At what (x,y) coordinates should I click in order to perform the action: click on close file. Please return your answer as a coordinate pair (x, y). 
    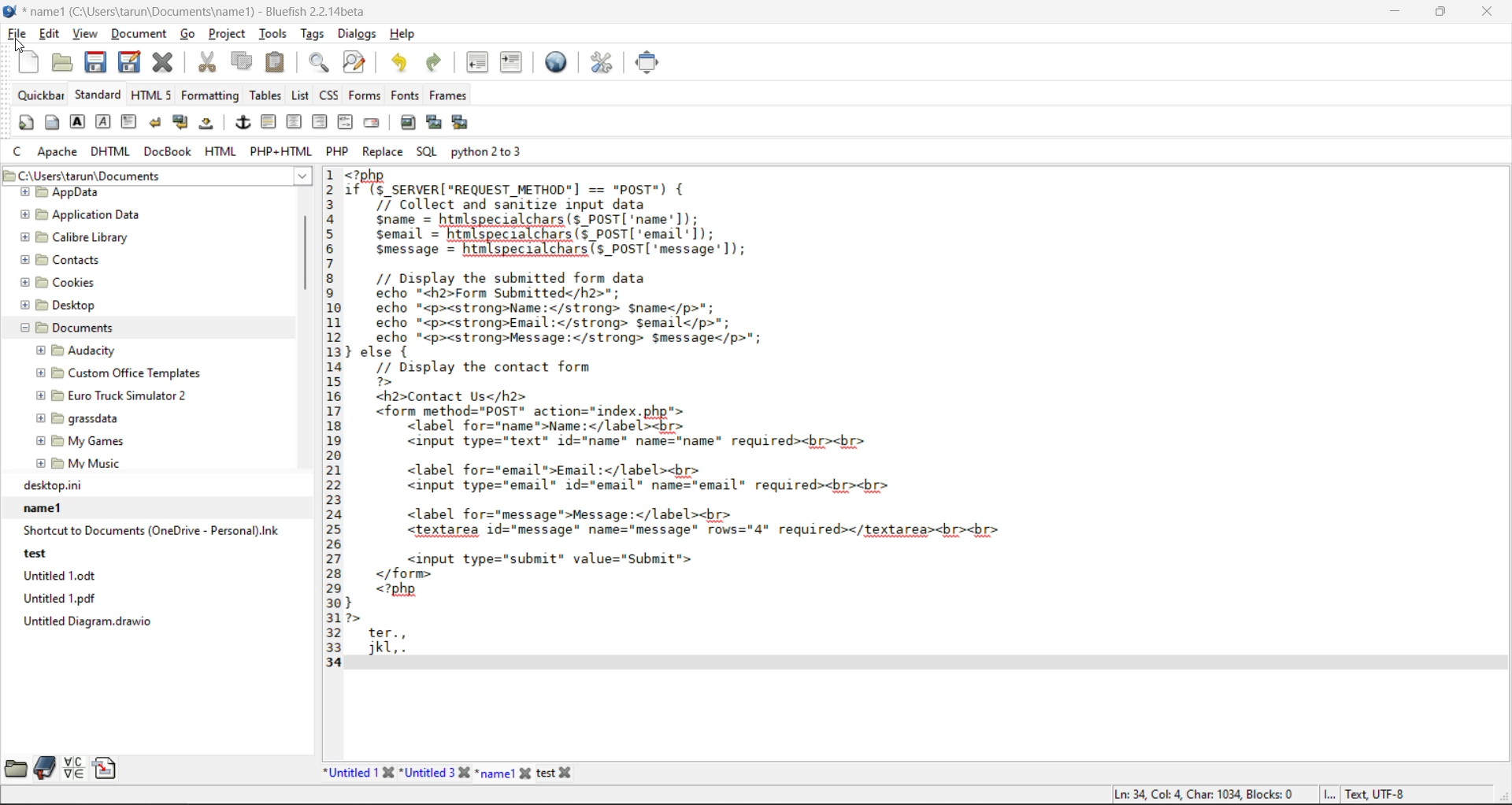
    Looking at the image, I should click on (163, 62).